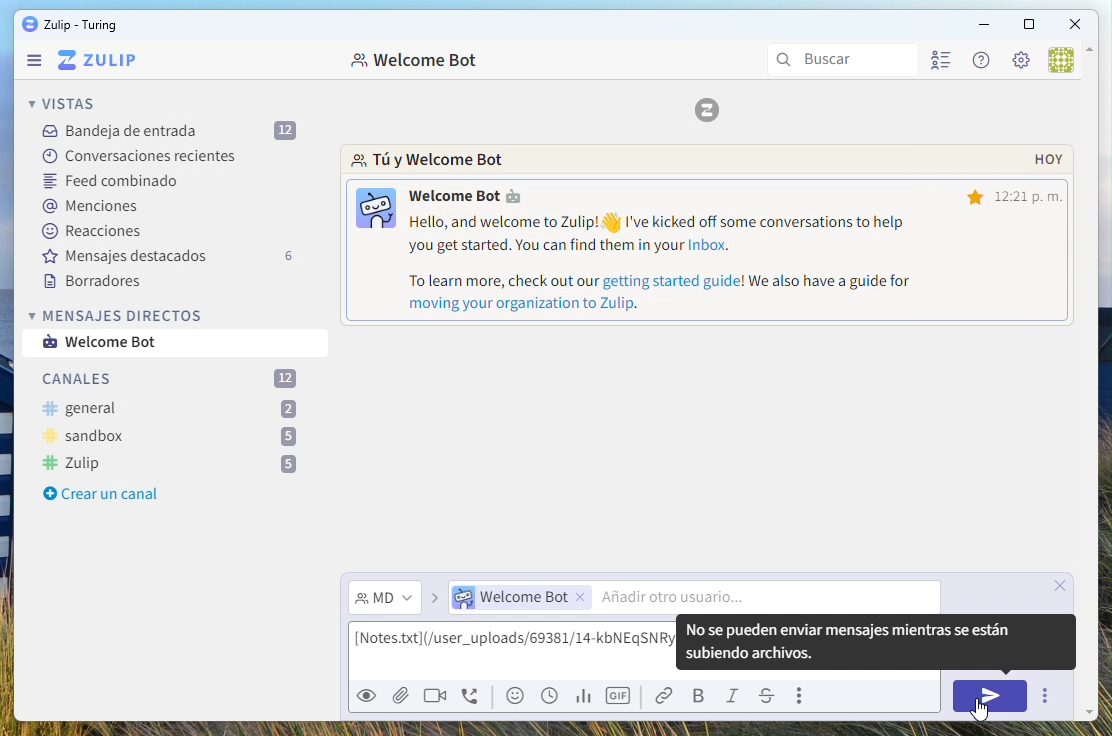 The image size is (1112, 736). I want to click on direct messages, so click(385, 599).